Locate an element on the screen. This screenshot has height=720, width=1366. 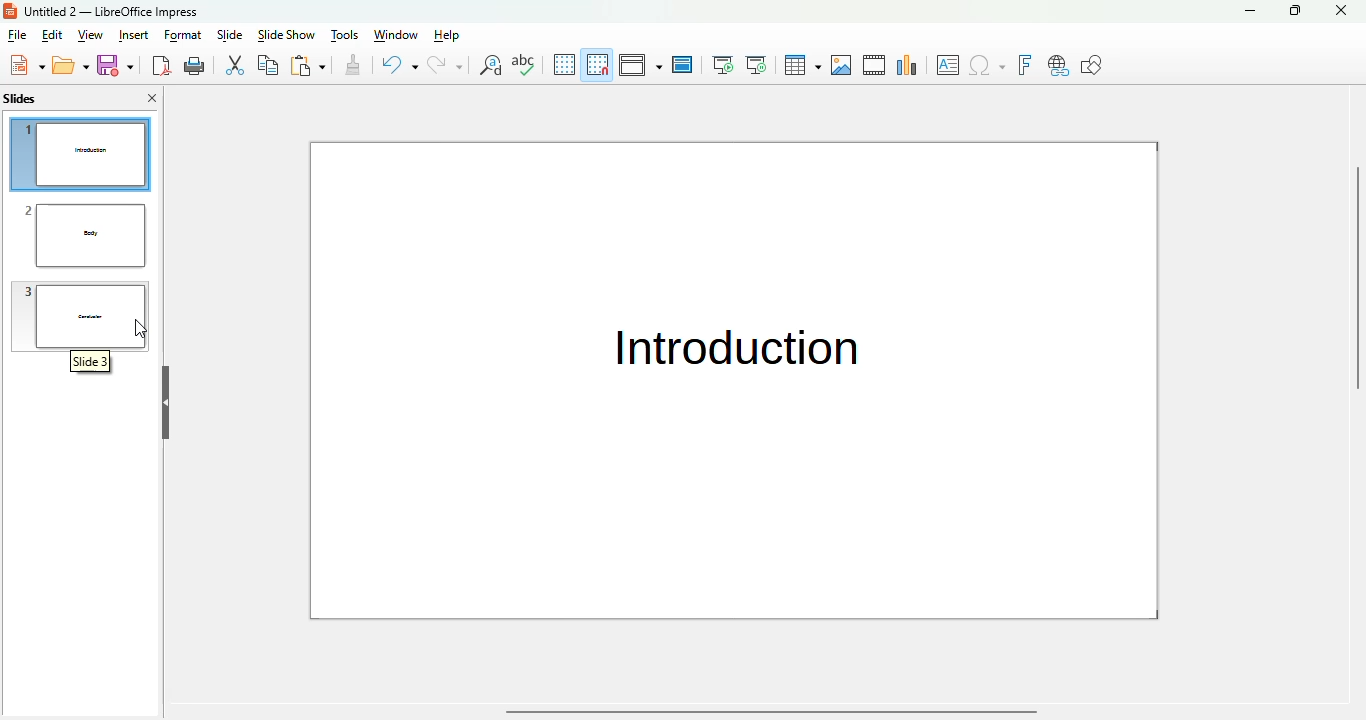
copy is located at coordinates (268, 64).